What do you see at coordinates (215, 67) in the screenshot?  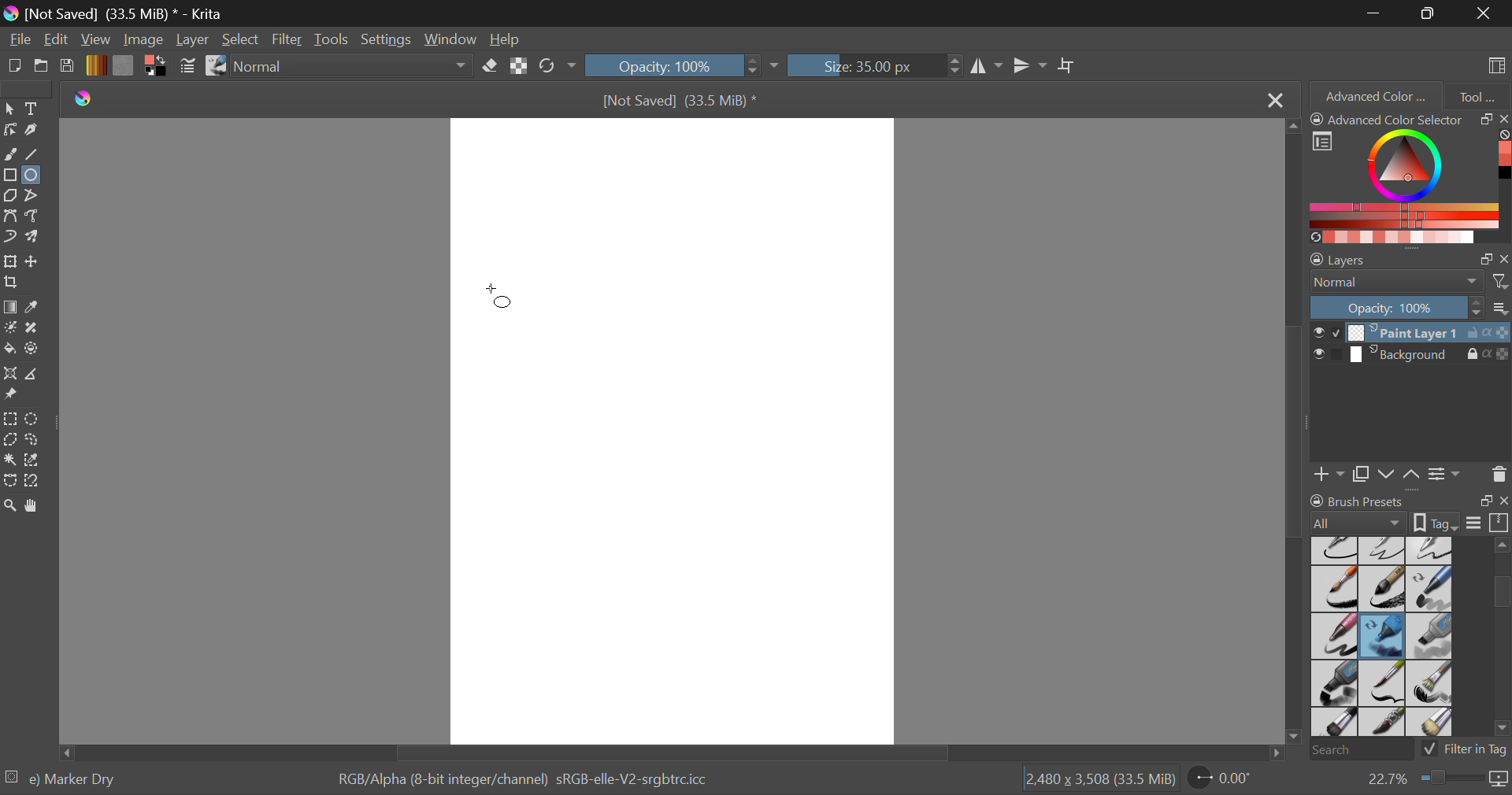 I see `Stroke Type` at bounding box center [215, 67].